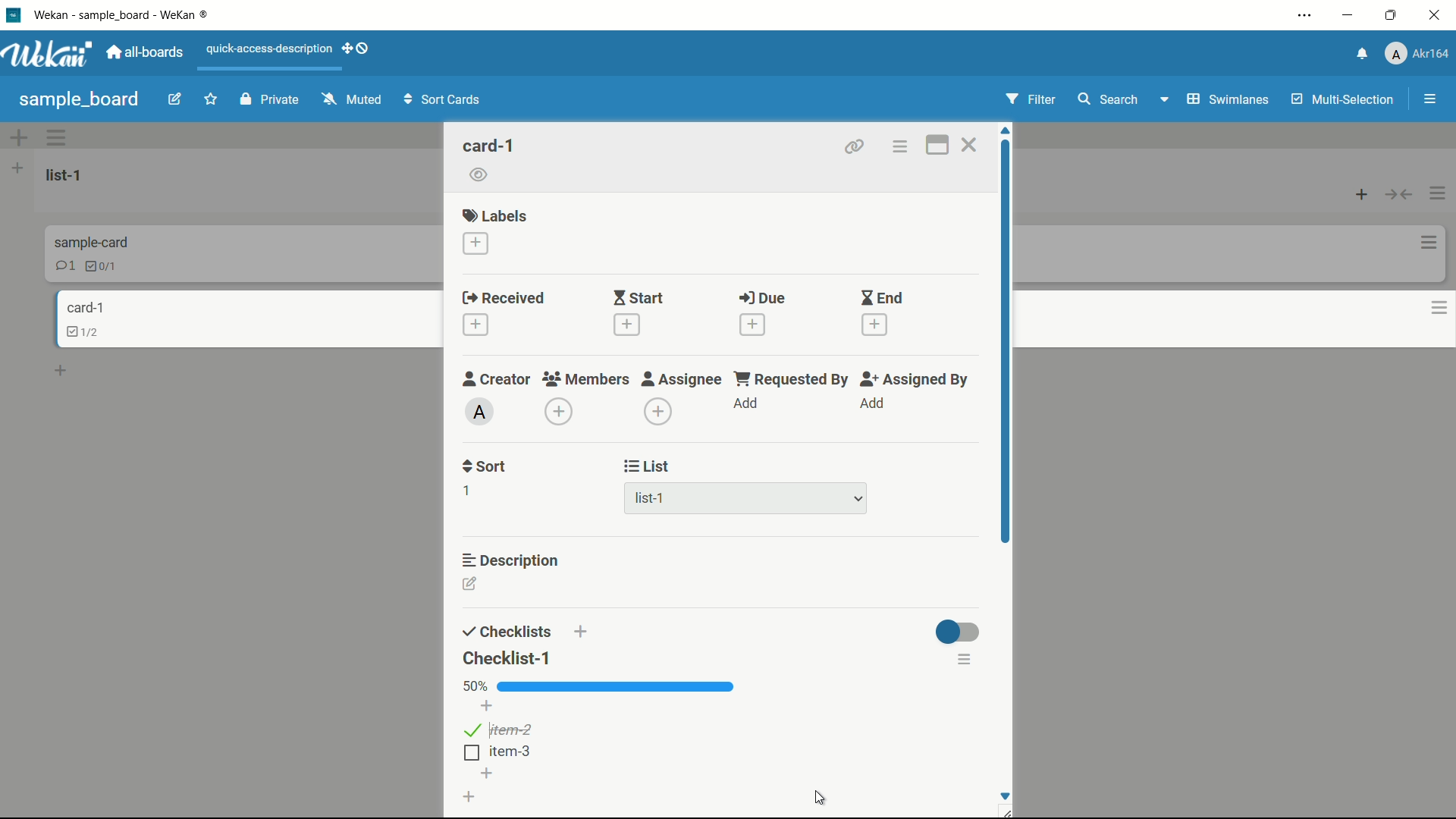  I want to click on list actions, so click(1437, 193).